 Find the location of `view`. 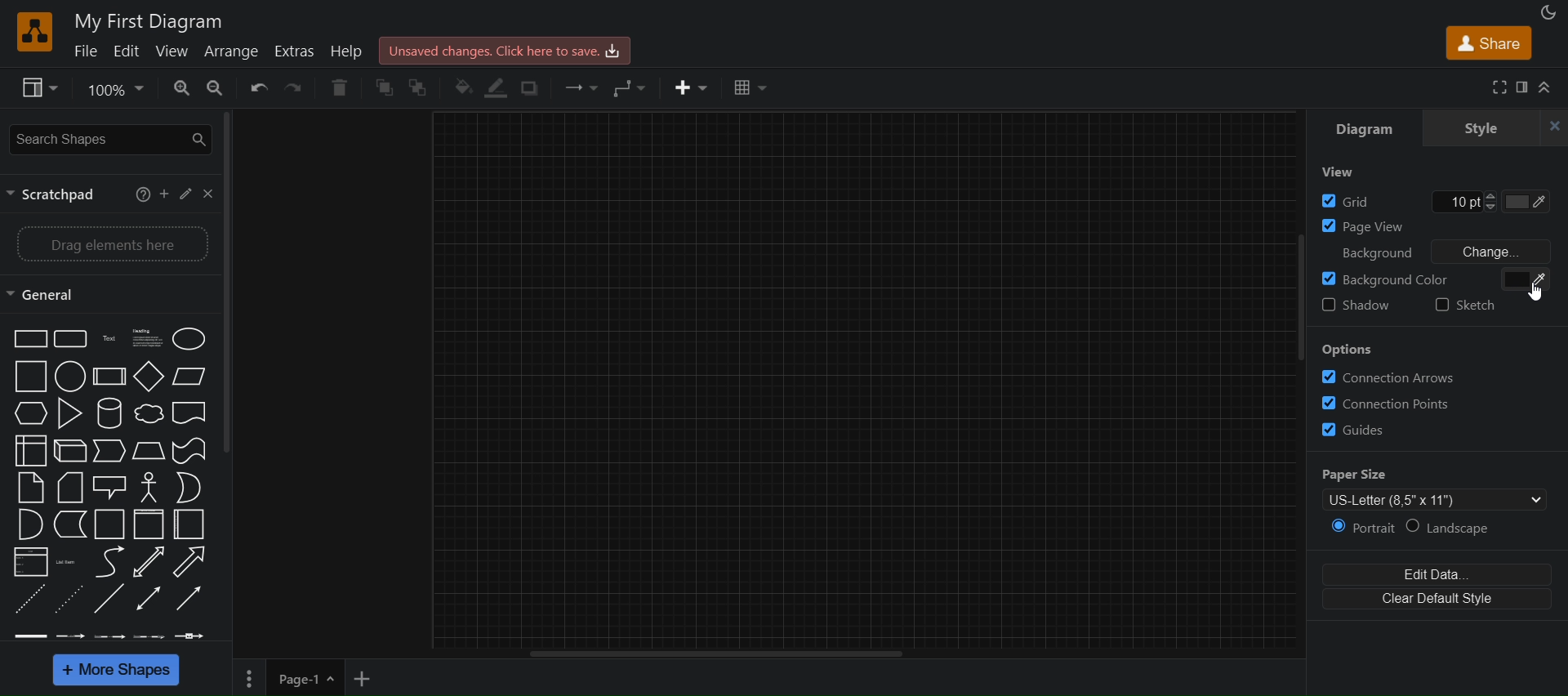

view is located at coordinates (39, 88).